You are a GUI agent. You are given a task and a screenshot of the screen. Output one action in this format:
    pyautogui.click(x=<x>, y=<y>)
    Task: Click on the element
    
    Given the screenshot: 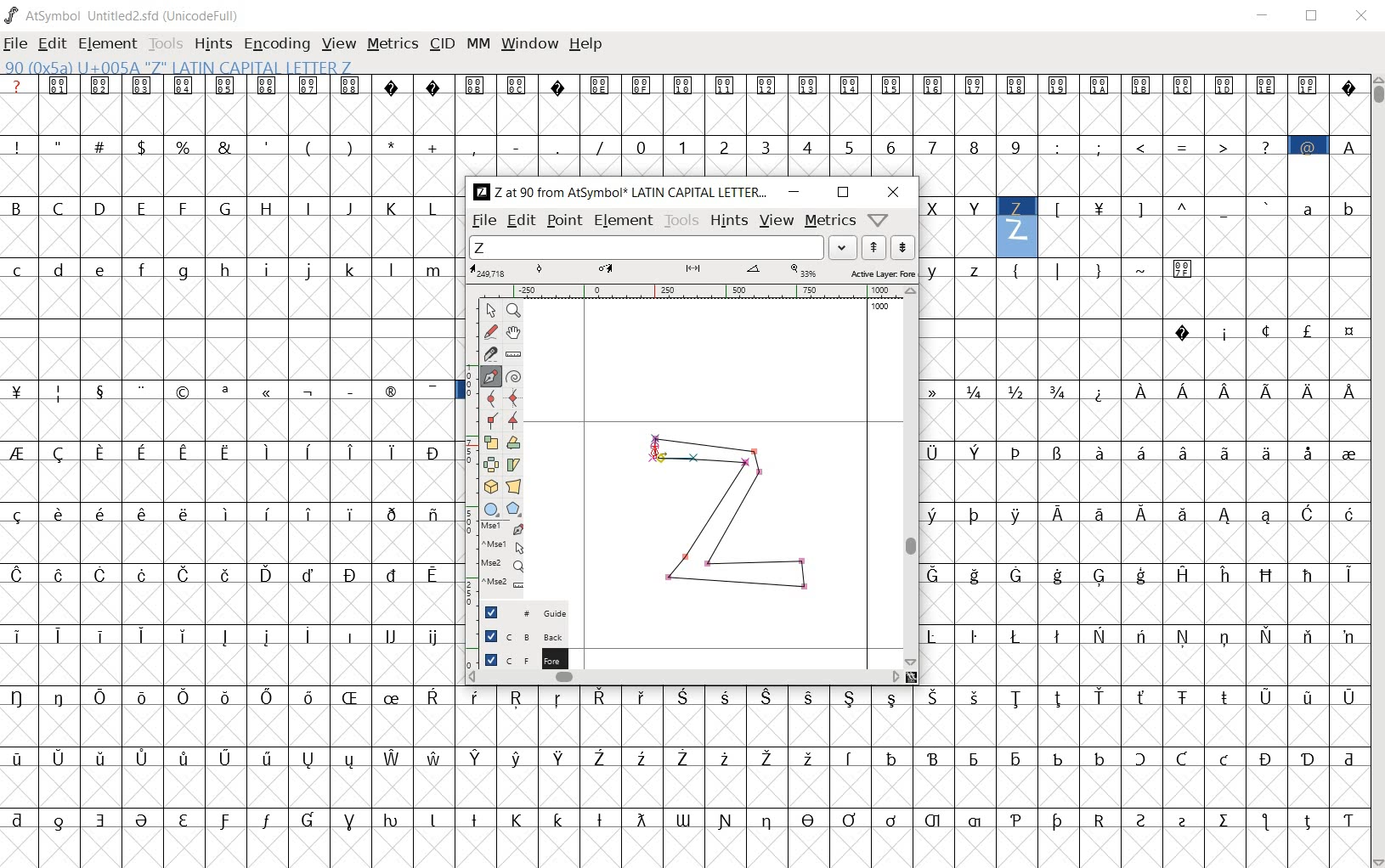 What is the action you would take?
    pyautogui.click(x=110, y=42)
    